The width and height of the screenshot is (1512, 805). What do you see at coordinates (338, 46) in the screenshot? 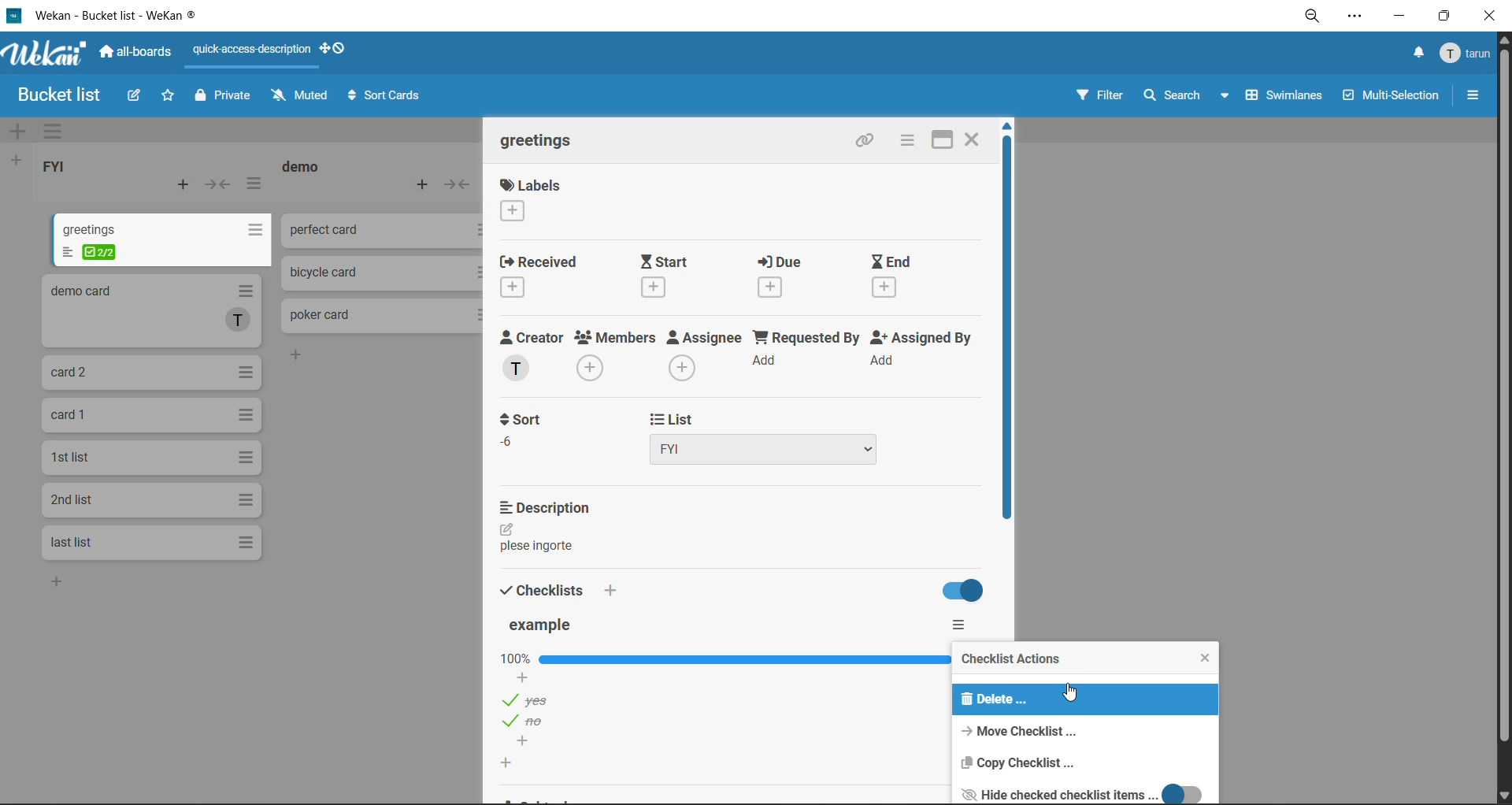
I see `show desktop drag handles` at bounding box center [338, 46].